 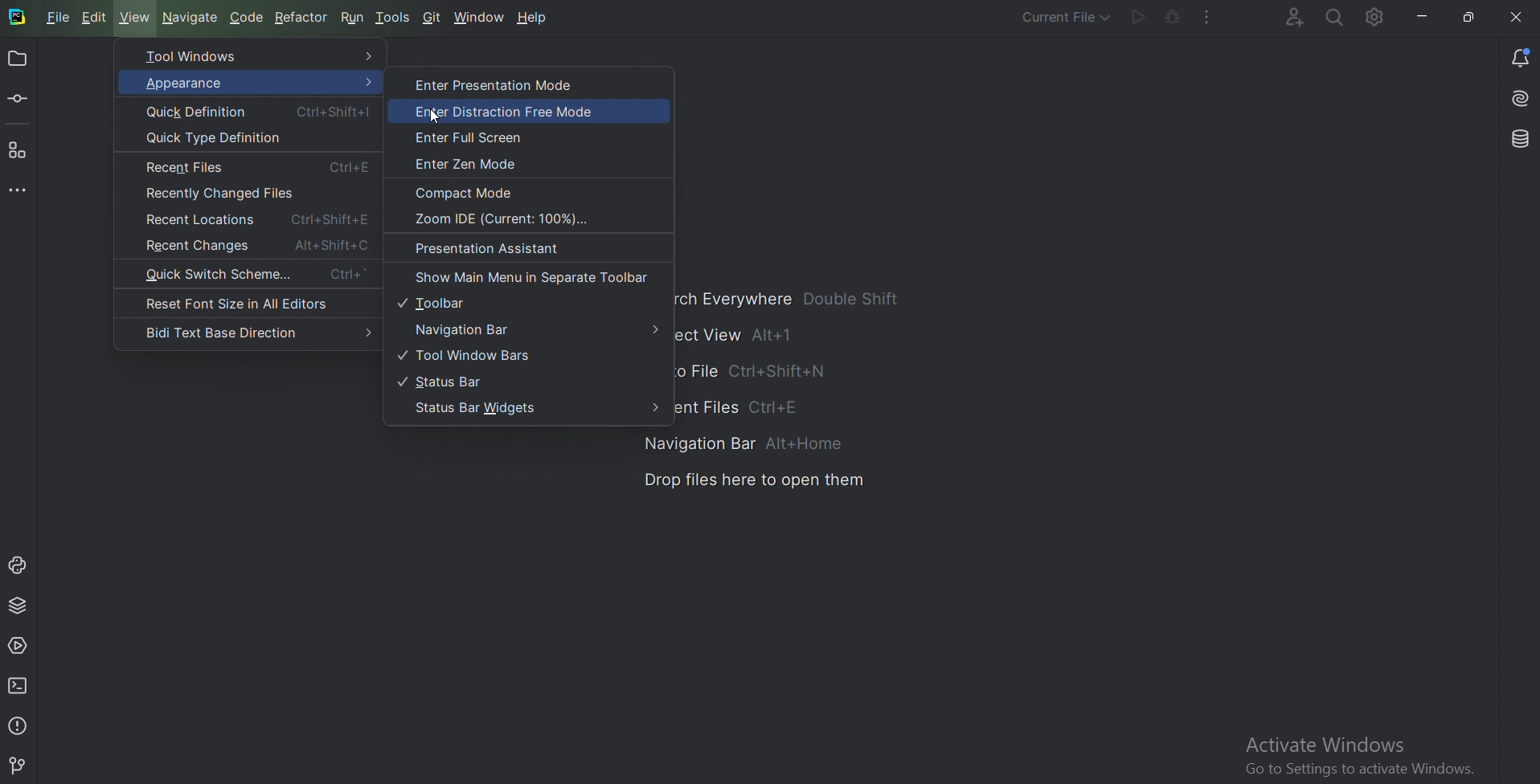 I want to click on Cursor, so click(x=436, y=116).